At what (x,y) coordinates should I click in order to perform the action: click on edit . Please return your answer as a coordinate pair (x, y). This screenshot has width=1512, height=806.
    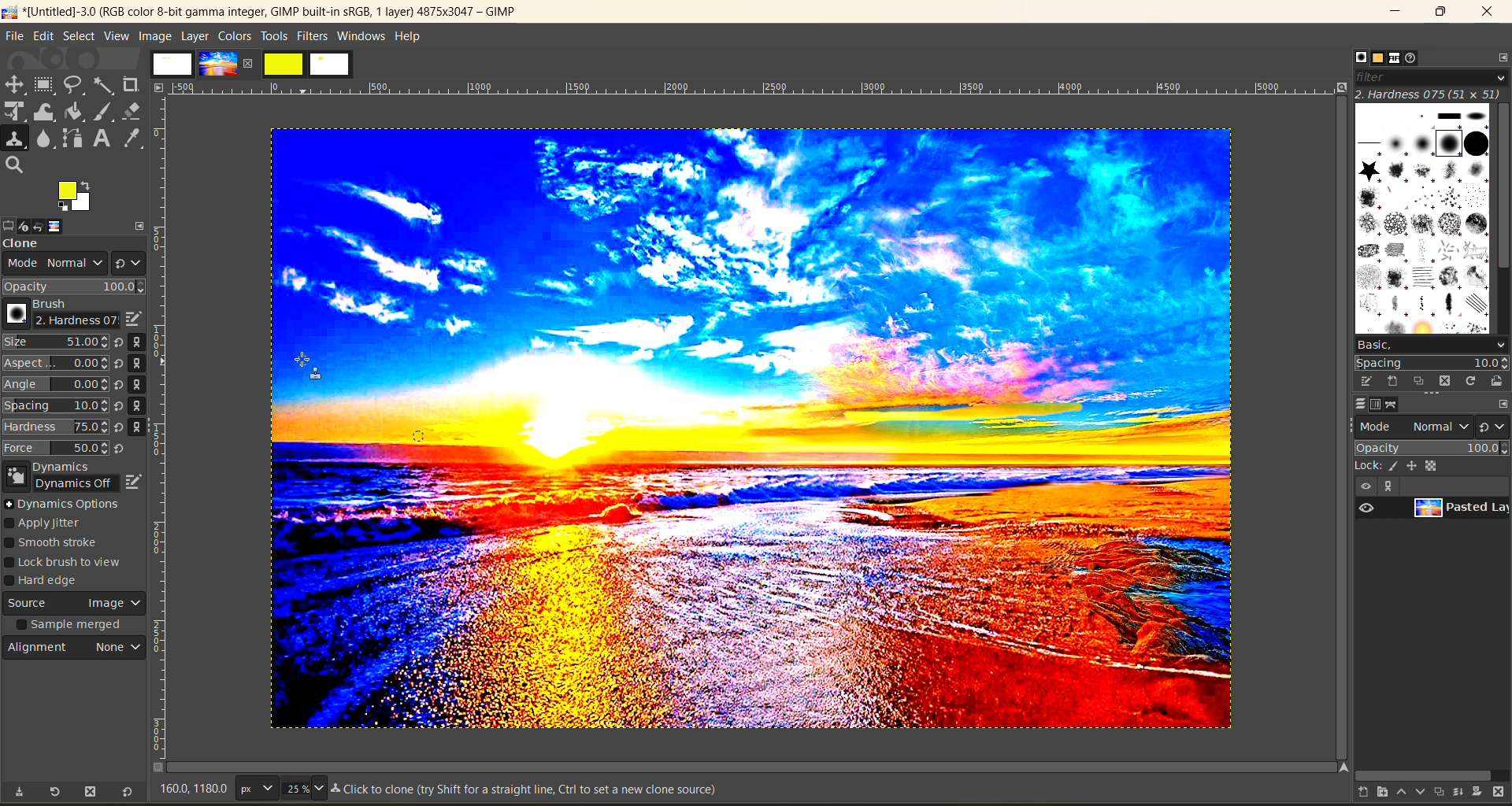
    Looking at the image, I should click on (132, 319).